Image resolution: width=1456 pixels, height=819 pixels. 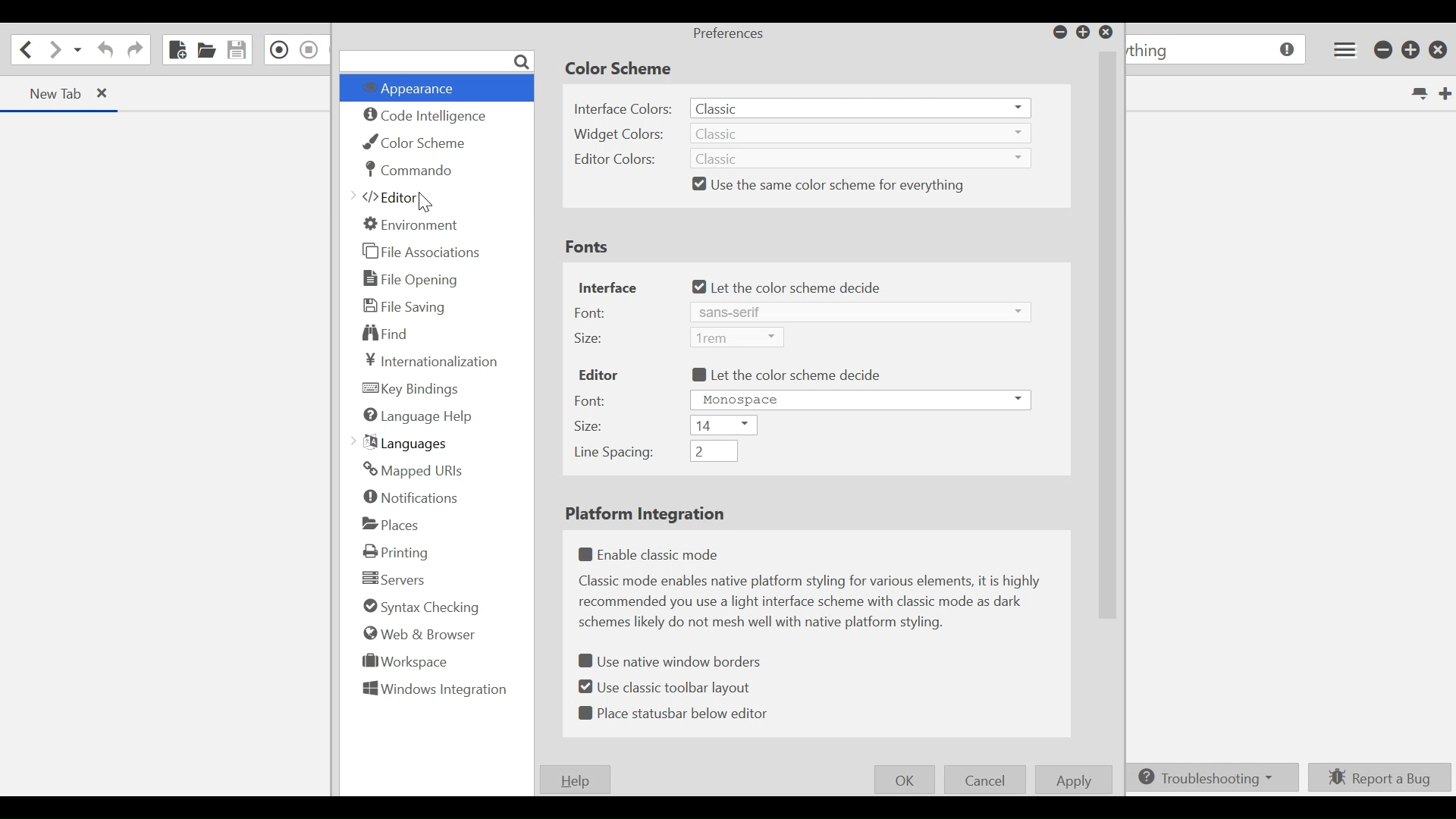 I want to click on Platform Integration, so click(x=645, y=516).